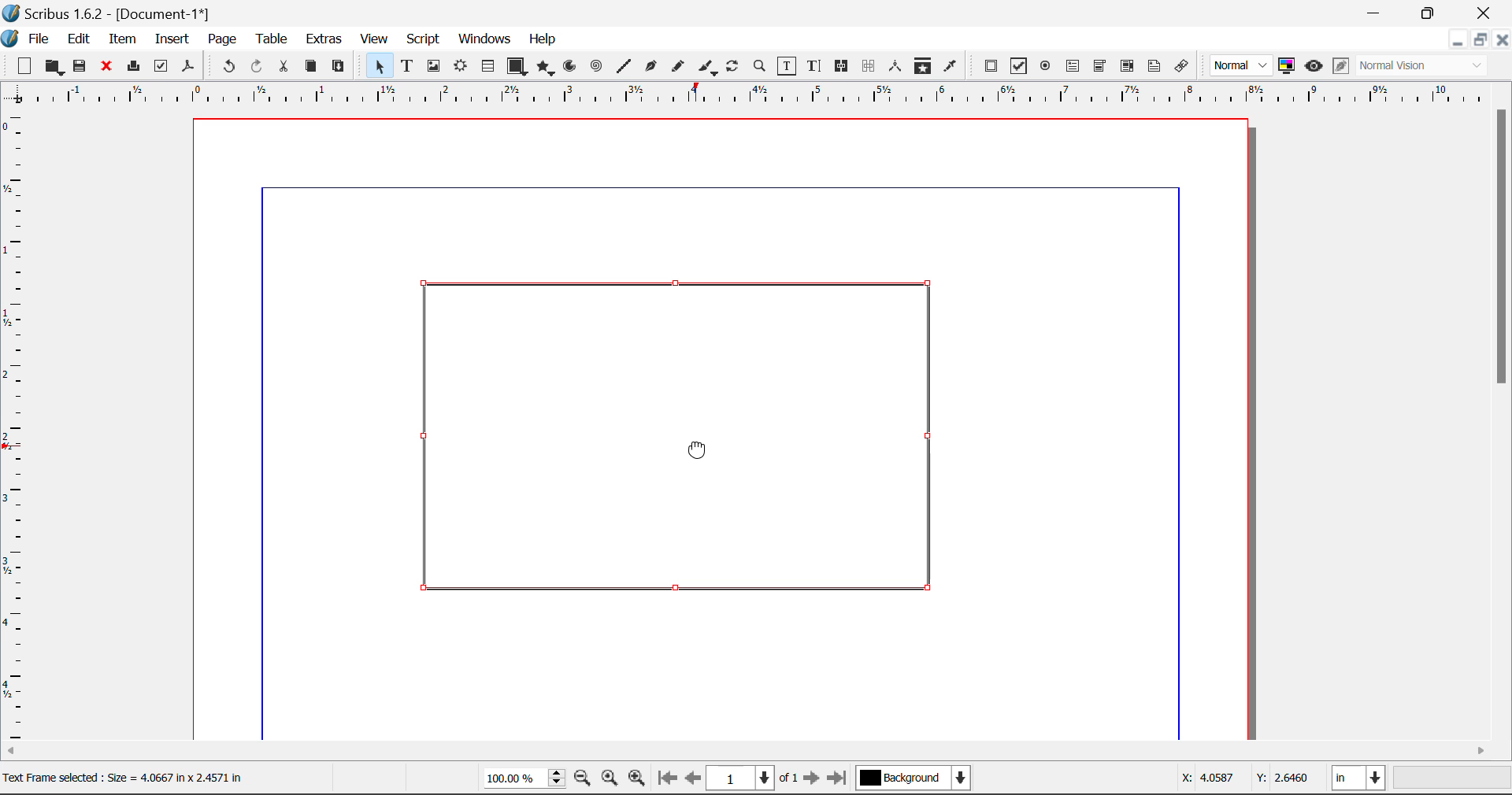 The width and height of the screenshot is (1512, 795). I want to click on Select, so click(376, 65).